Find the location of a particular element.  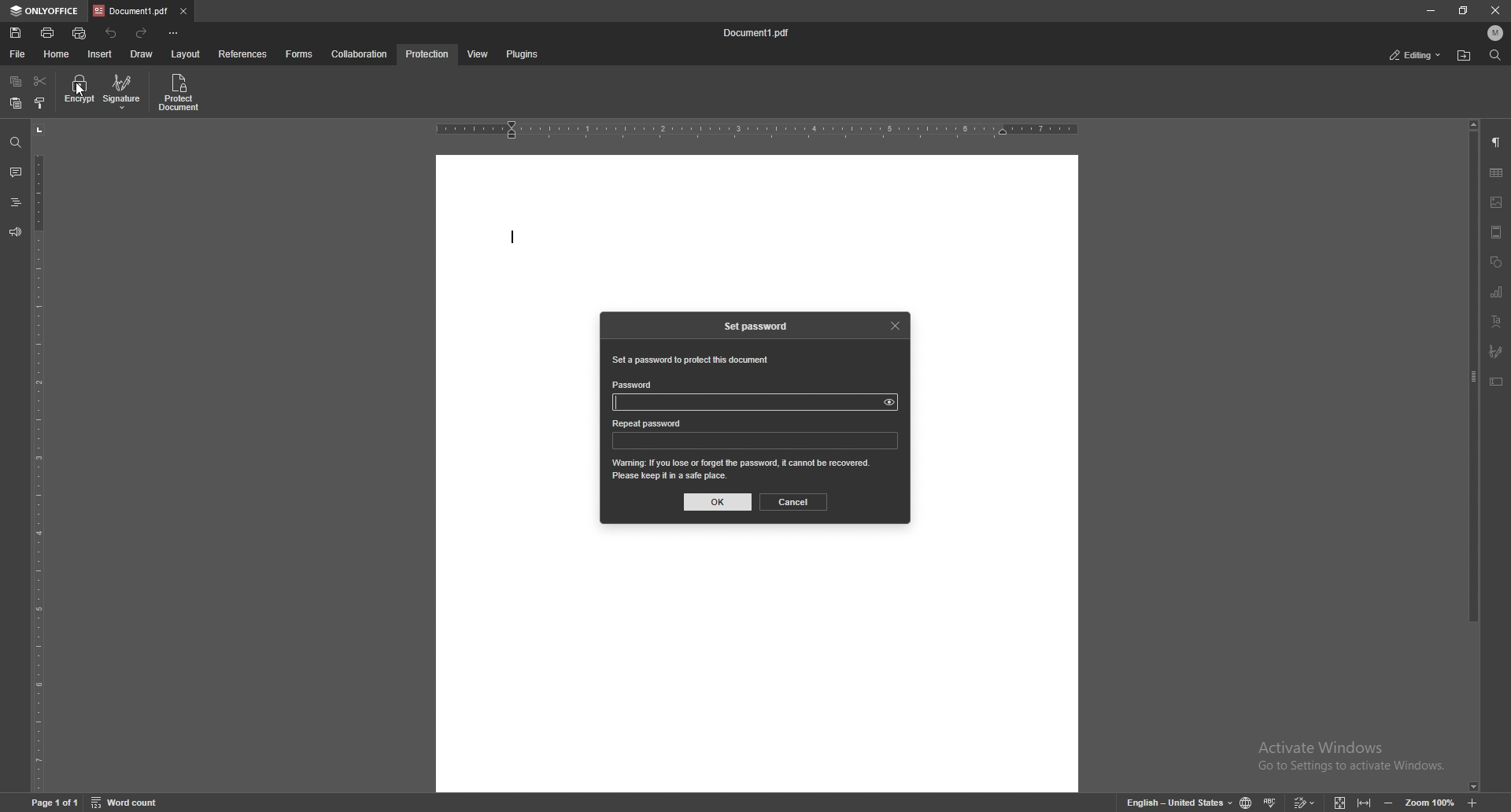

password input is located at coordinates (755, 441).